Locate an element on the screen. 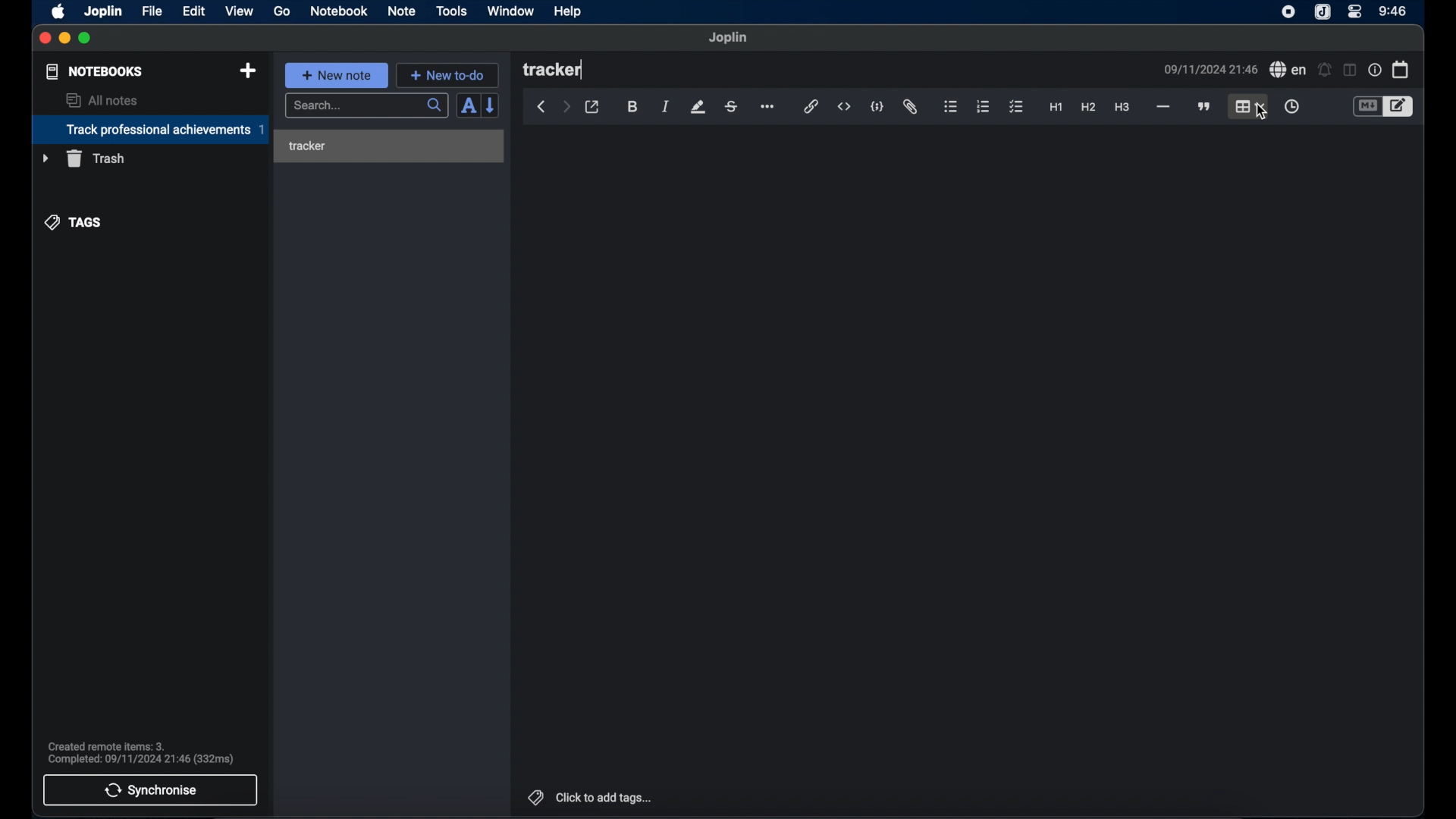 Image resolution: width=1456 pixels, height=819 pixels. trash is located at coordinates (83, 158).